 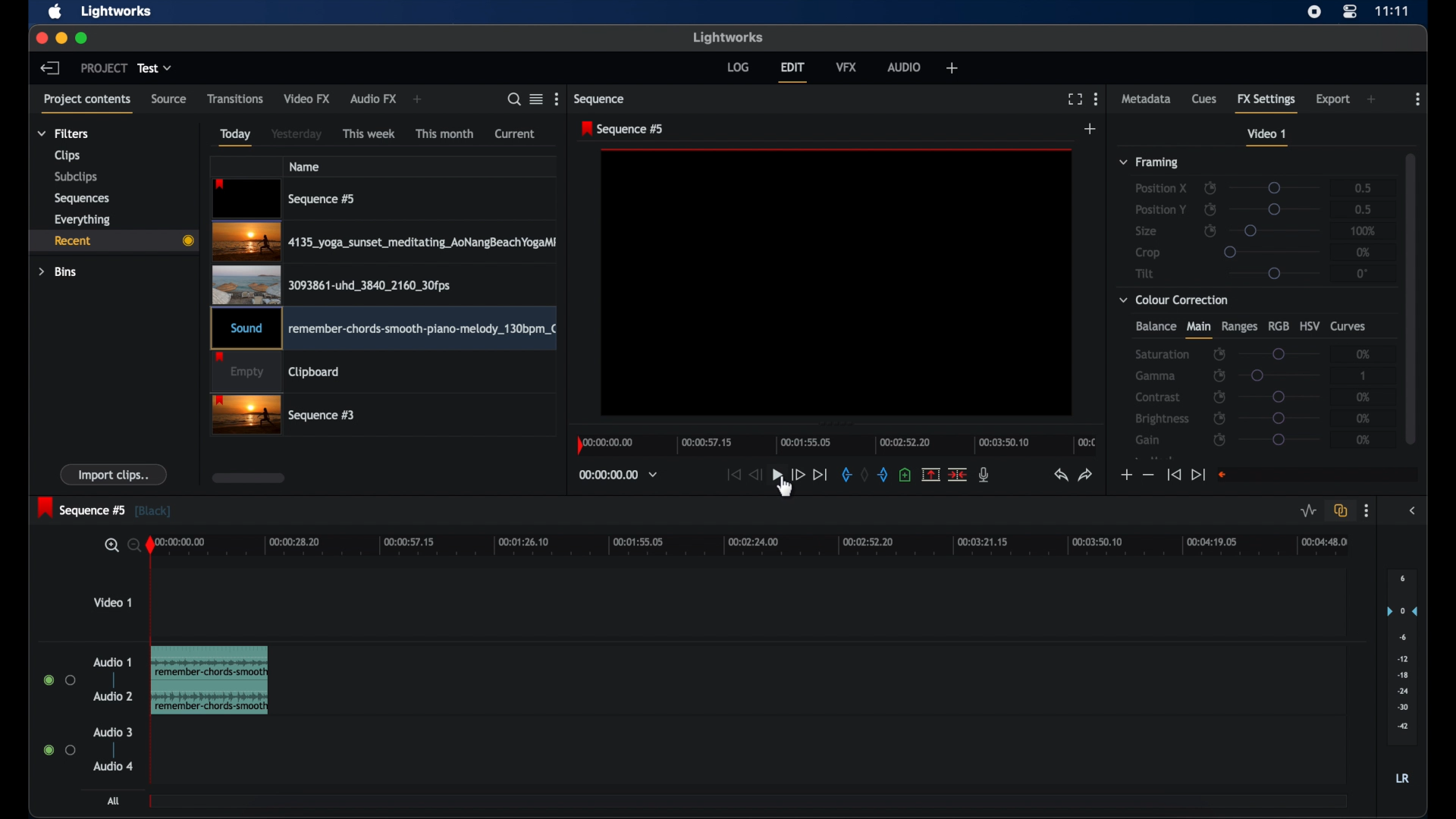 I want to click on test dropdown, so click(x=155, y=68).